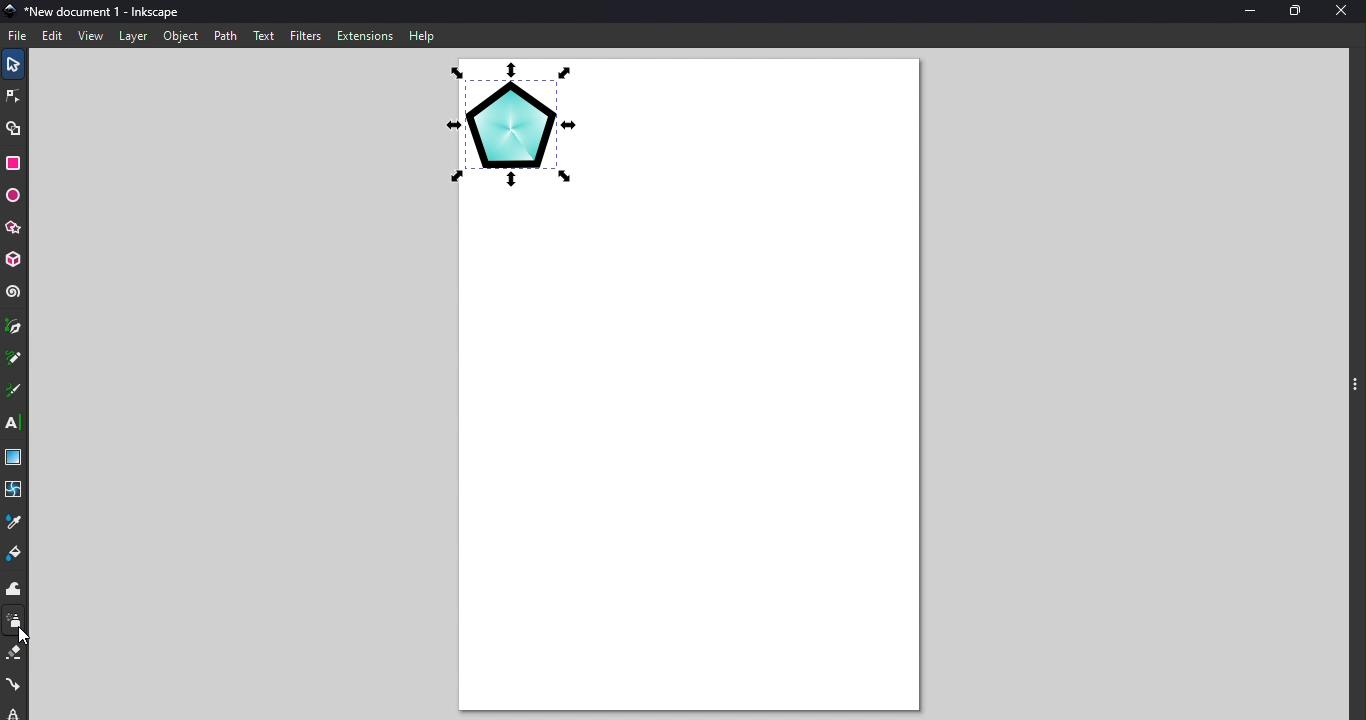 The width and height of the screenshot is (1366, 720). Describe the element at coordinates (1245, 13) in the screenshot. I see `Minimize` at that location.